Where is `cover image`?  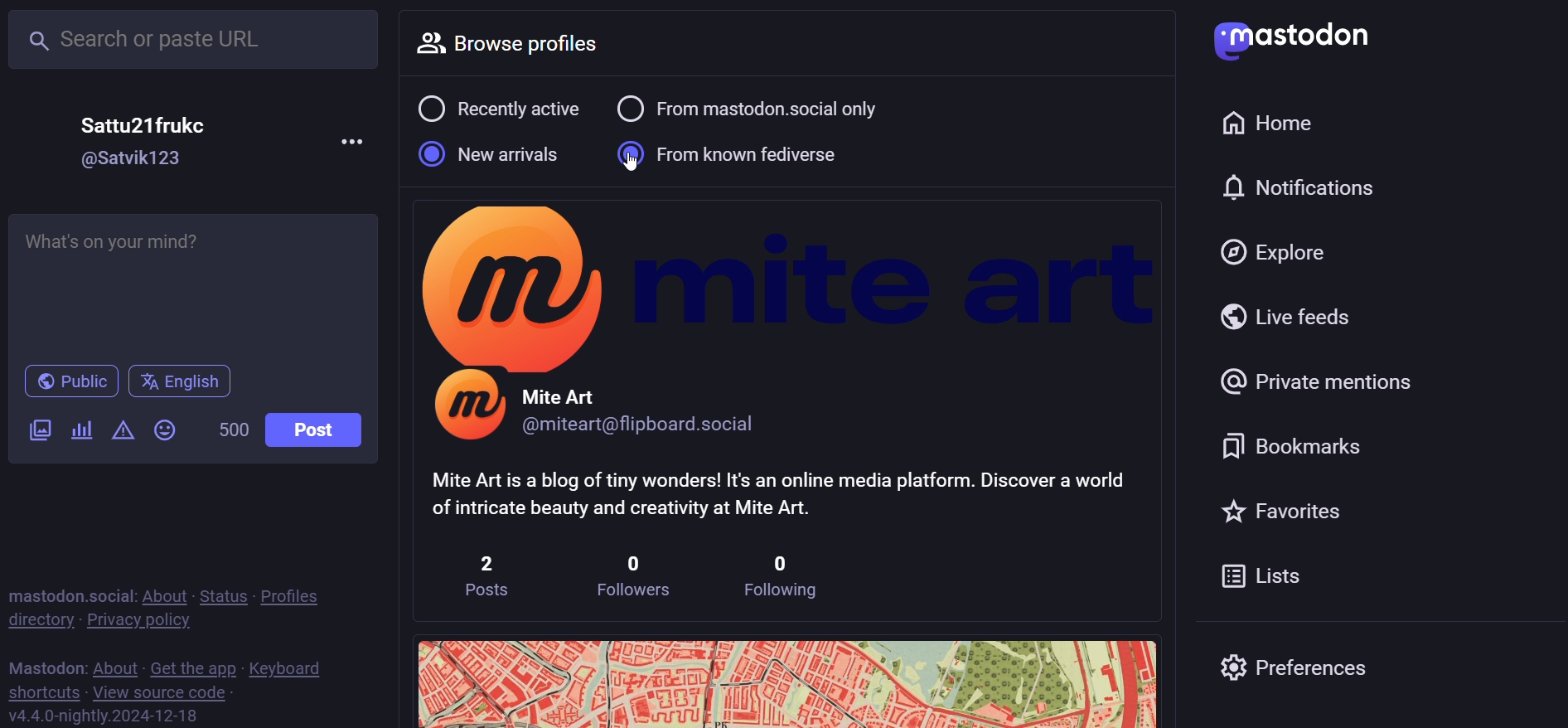
cover image is located at coordinates (789, 279).